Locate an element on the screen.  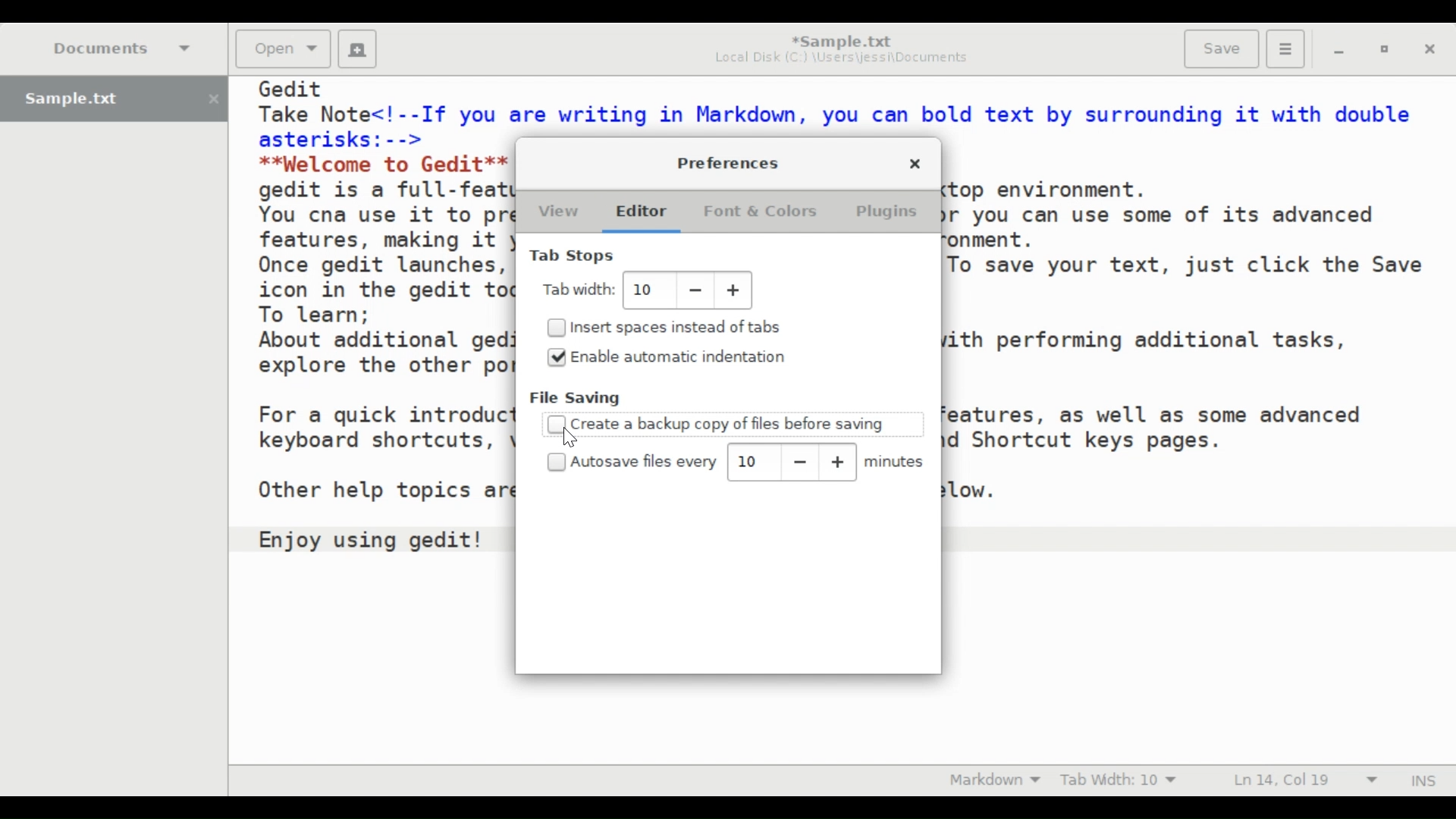
Save is located at coordinates (1220, 49).